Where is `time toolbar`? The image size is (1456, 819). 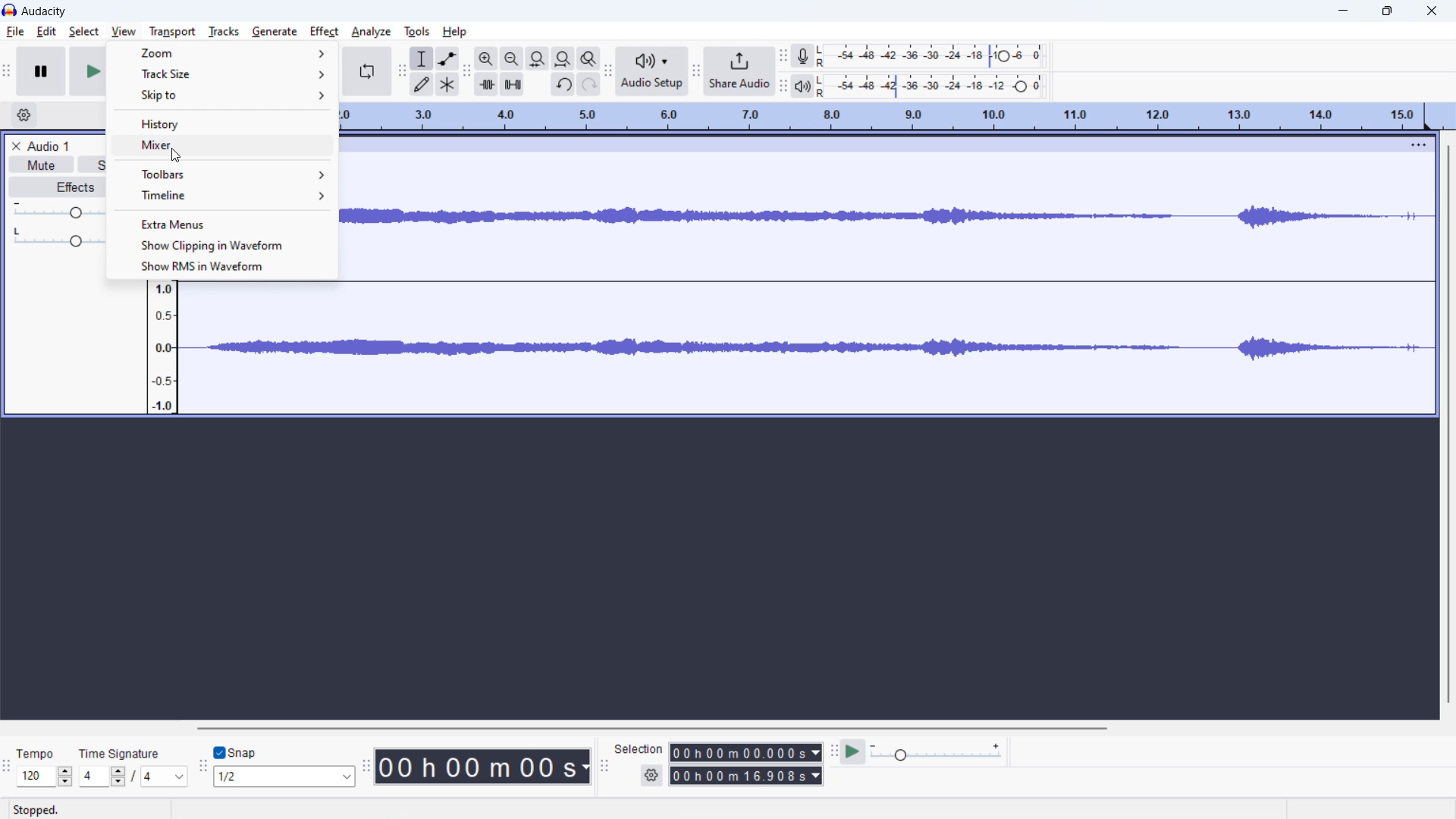 time toolbar is located at coordinates (366, 765).